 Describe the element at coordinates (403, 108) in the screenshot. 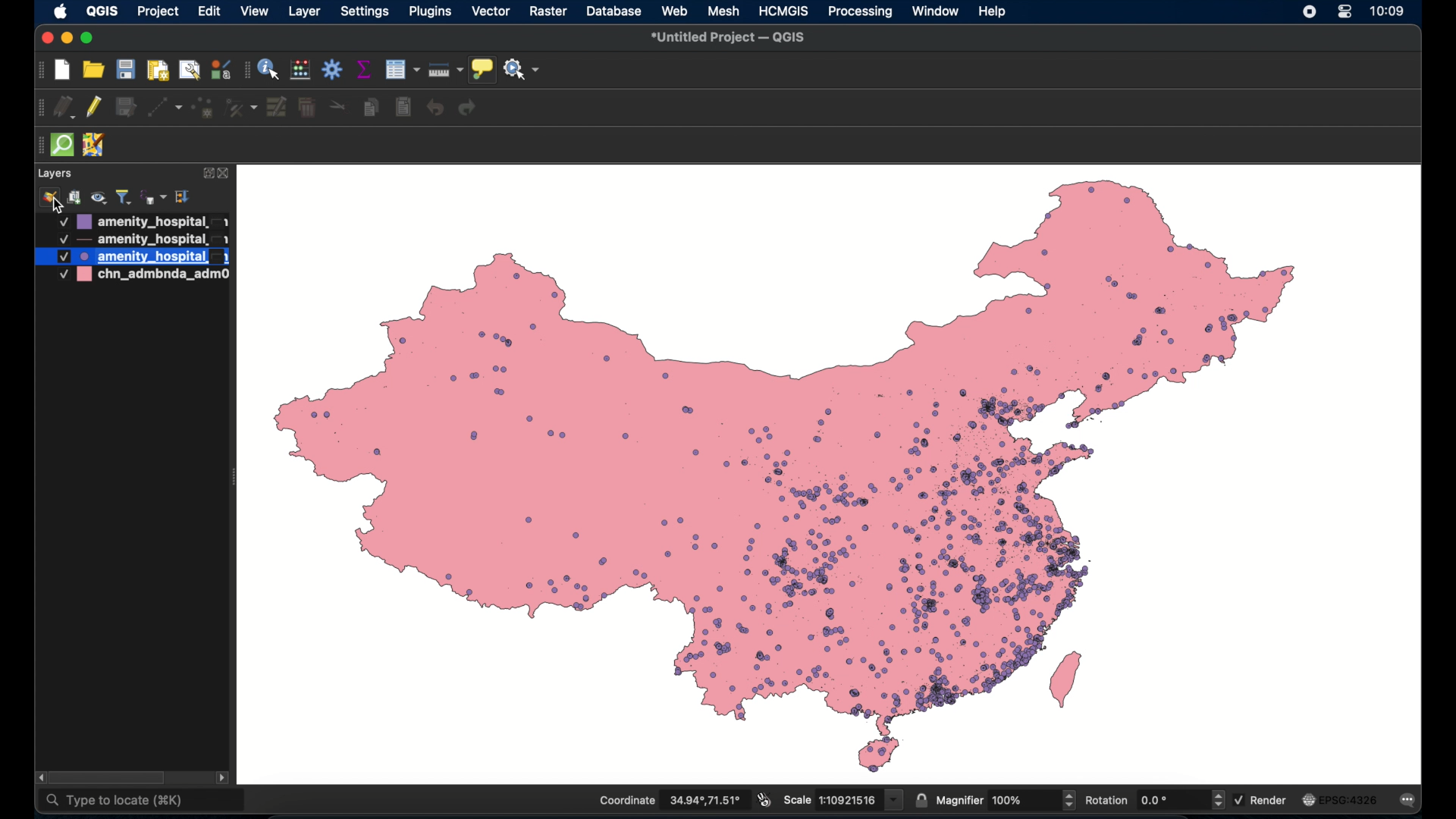

I see `delete selected` at that location.